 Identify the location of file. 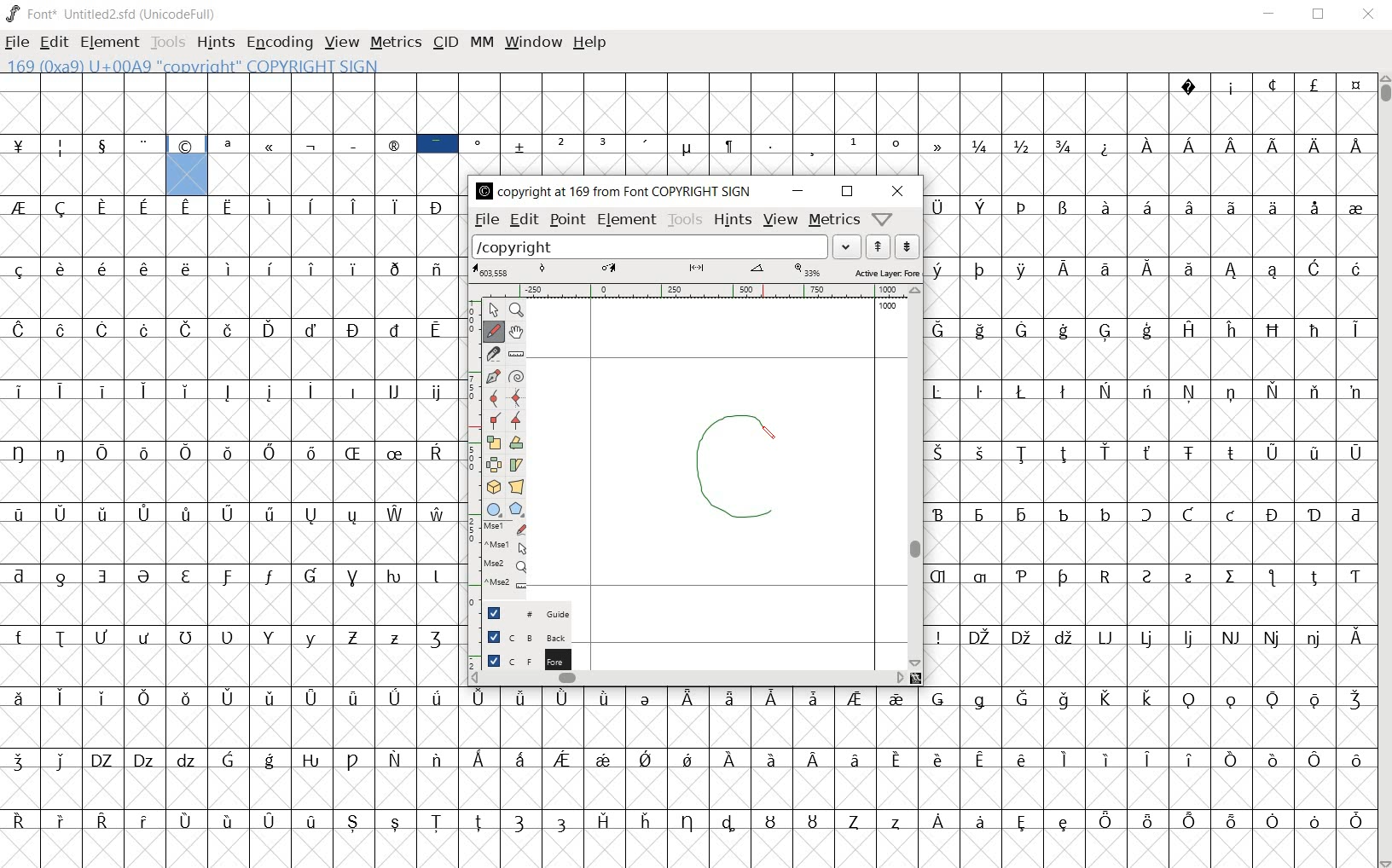
(17, 44).